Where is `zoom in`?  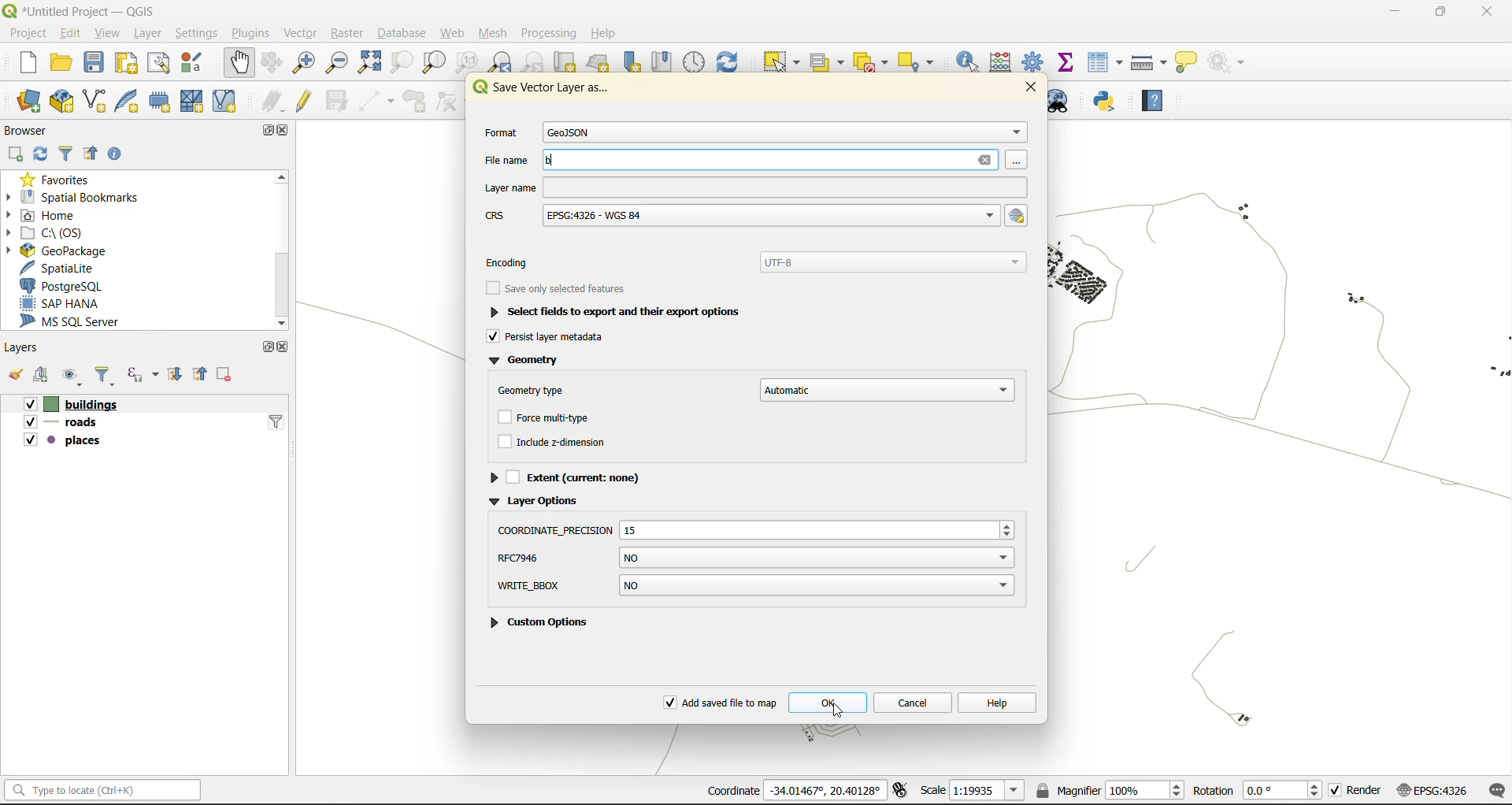 zoom in is located at coordinates (302, 65).